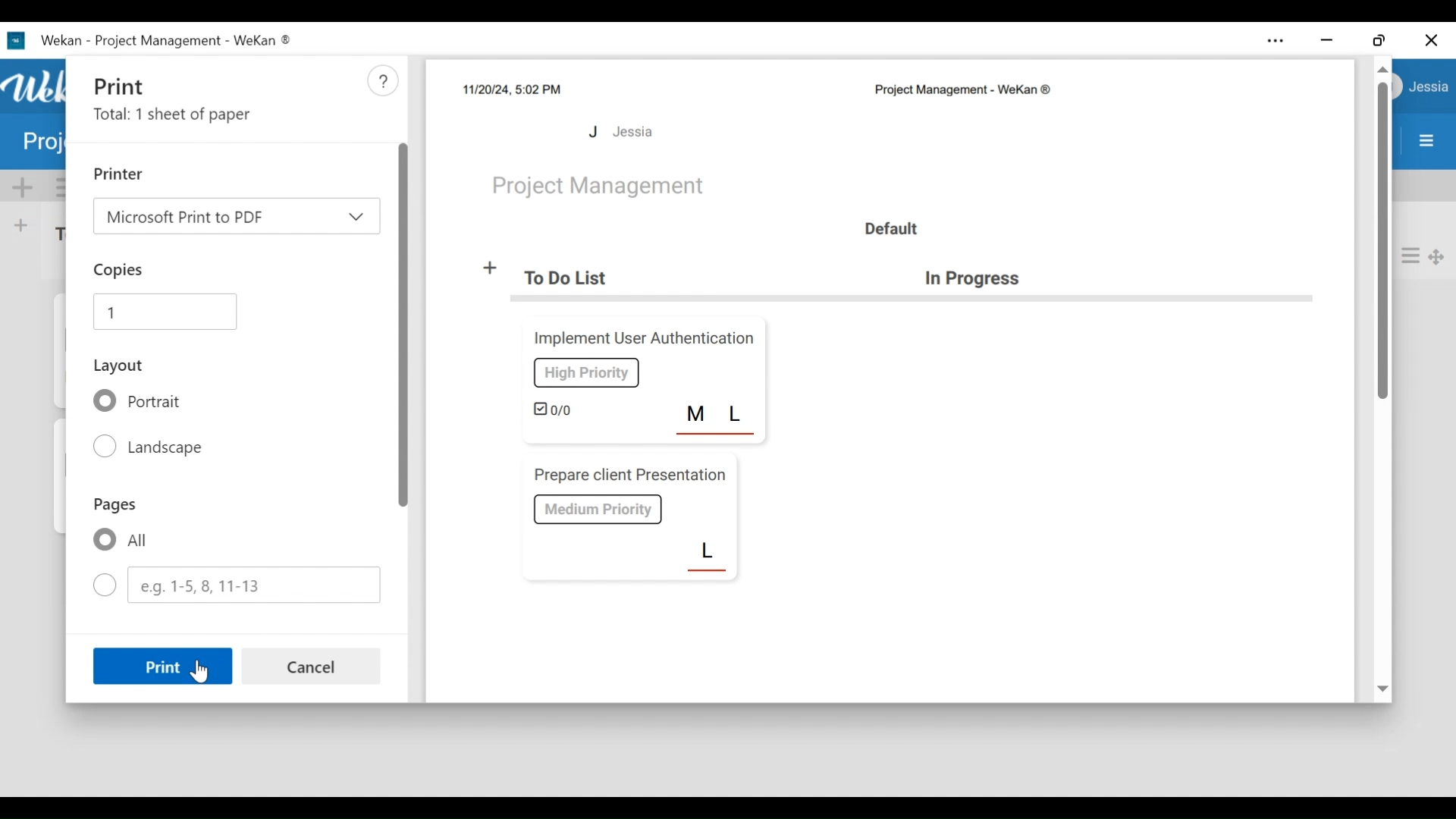  Describe the element at coordinates (512, 89) in the screenshot. I see `Date` at that location.